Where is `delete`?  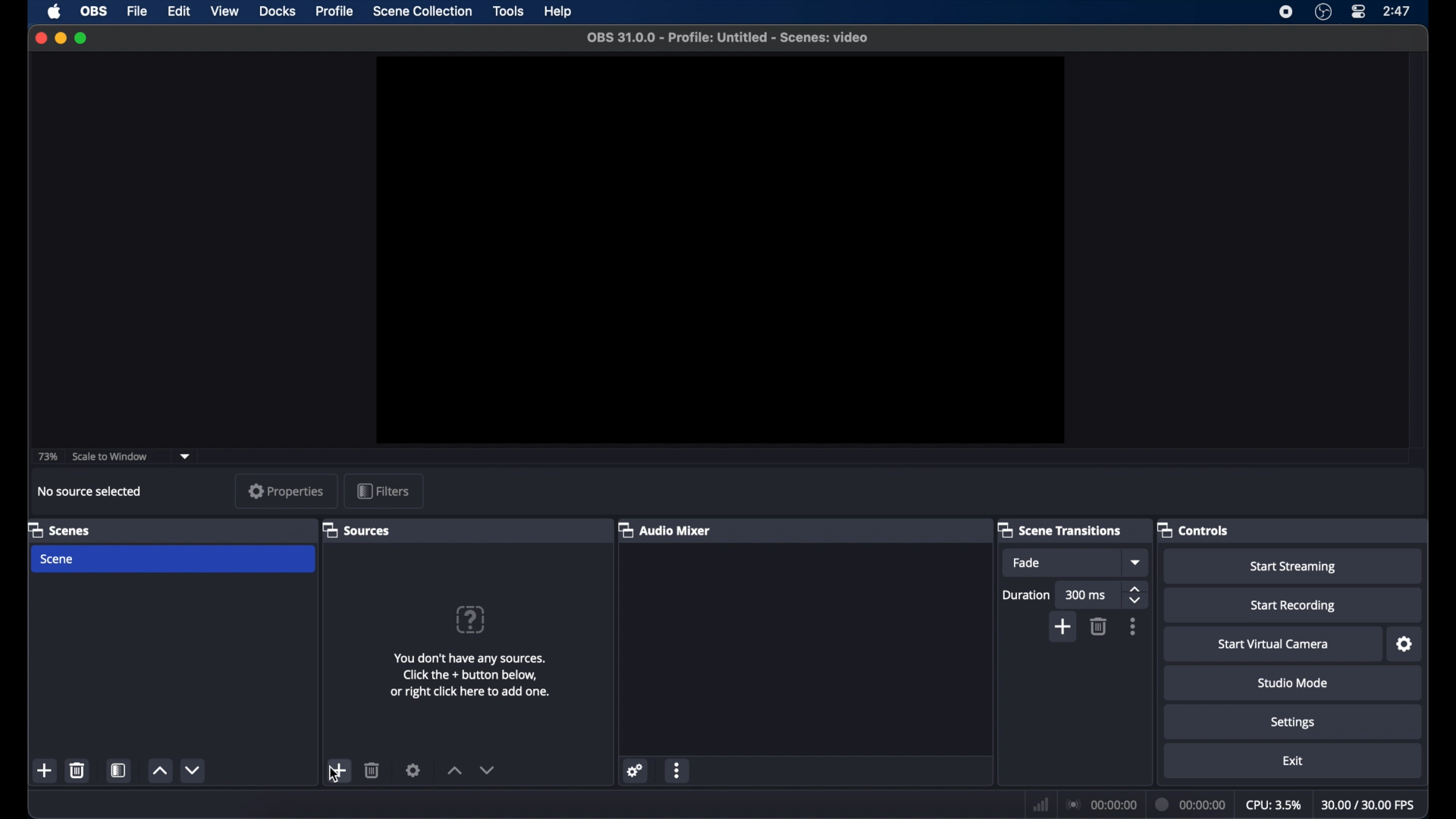 delete is located at coordinates (372, 770).